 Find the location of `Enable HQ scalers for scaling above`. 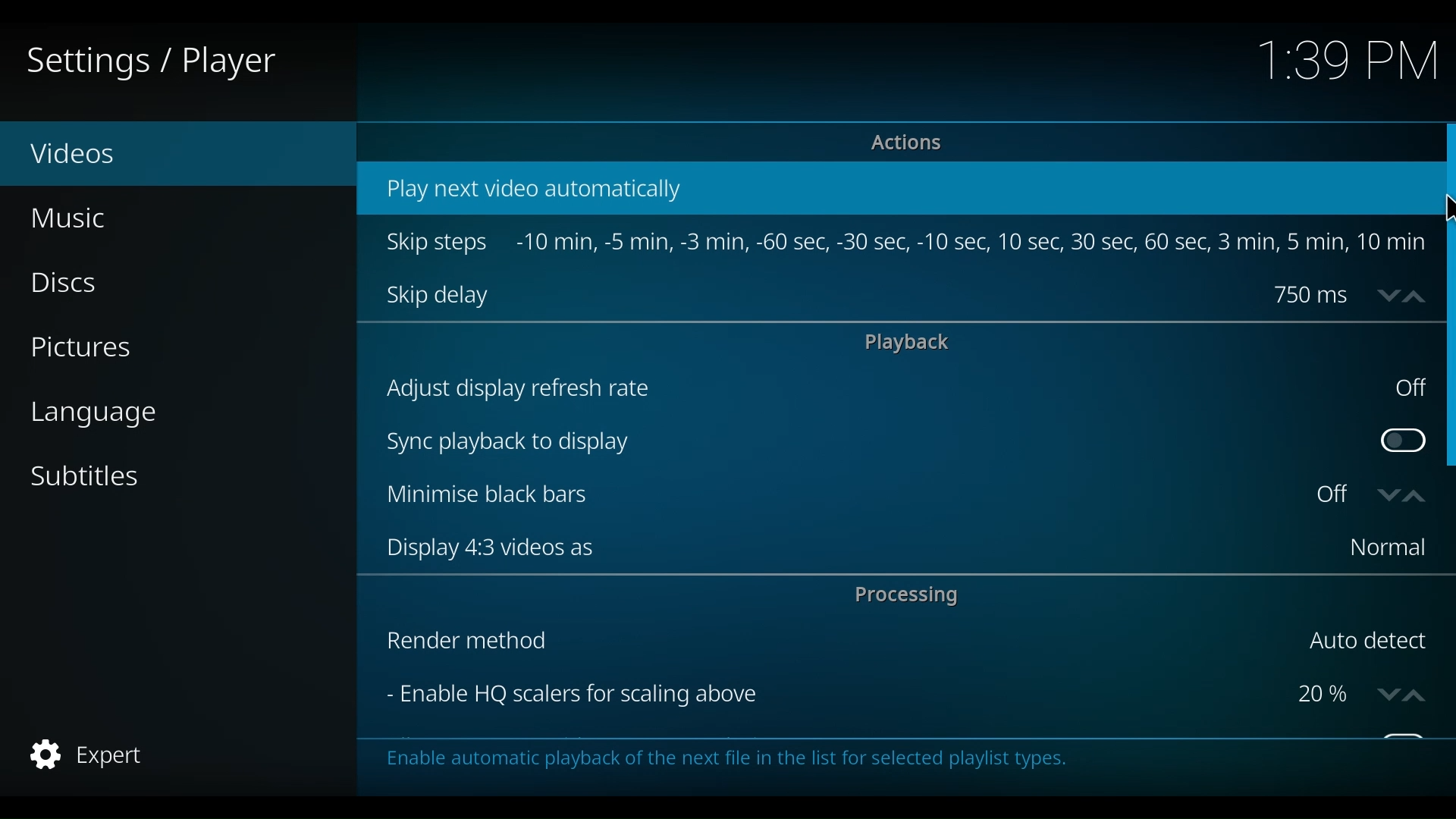

Enable HQ scalers for scaling above is located at coordinates (831, 695).